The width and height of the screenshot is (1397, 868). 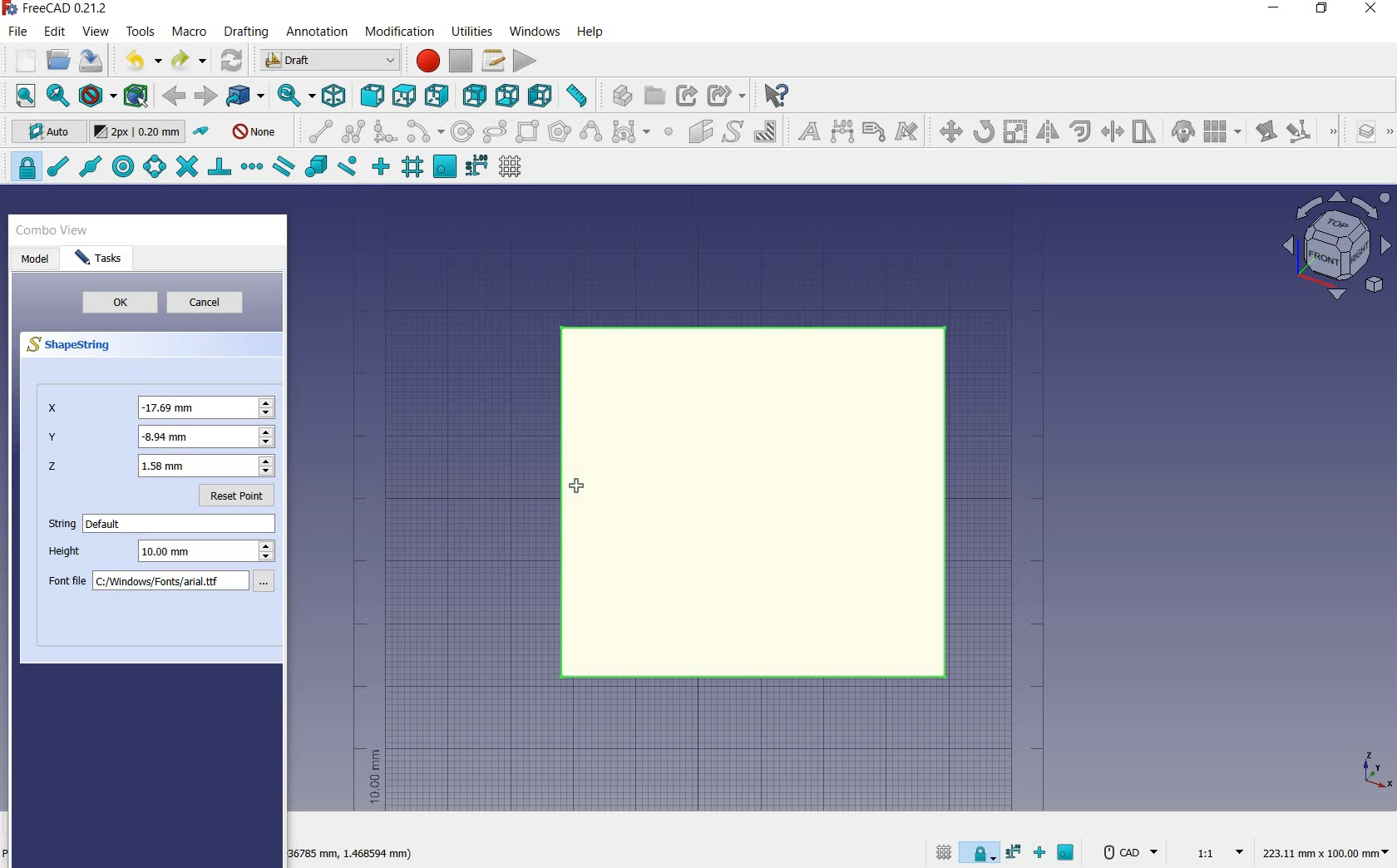 What do you see at coordinates (1311, 131) in the screenshot?
I see `subelement highlight` at bounding box center [1311, 131].